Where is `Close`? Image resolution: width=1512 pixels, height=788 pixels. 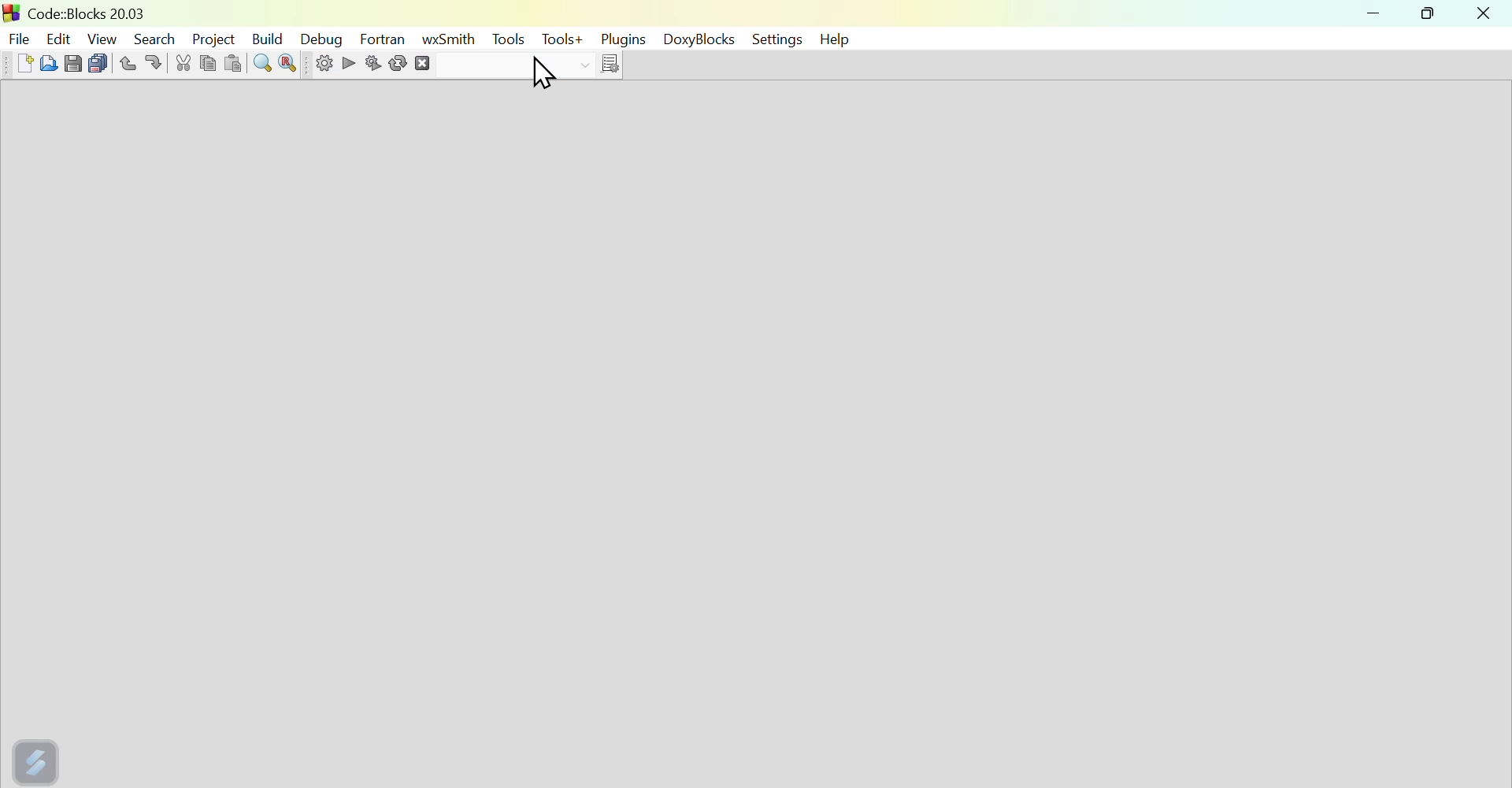
Close is located at coordinates (1484, 14).